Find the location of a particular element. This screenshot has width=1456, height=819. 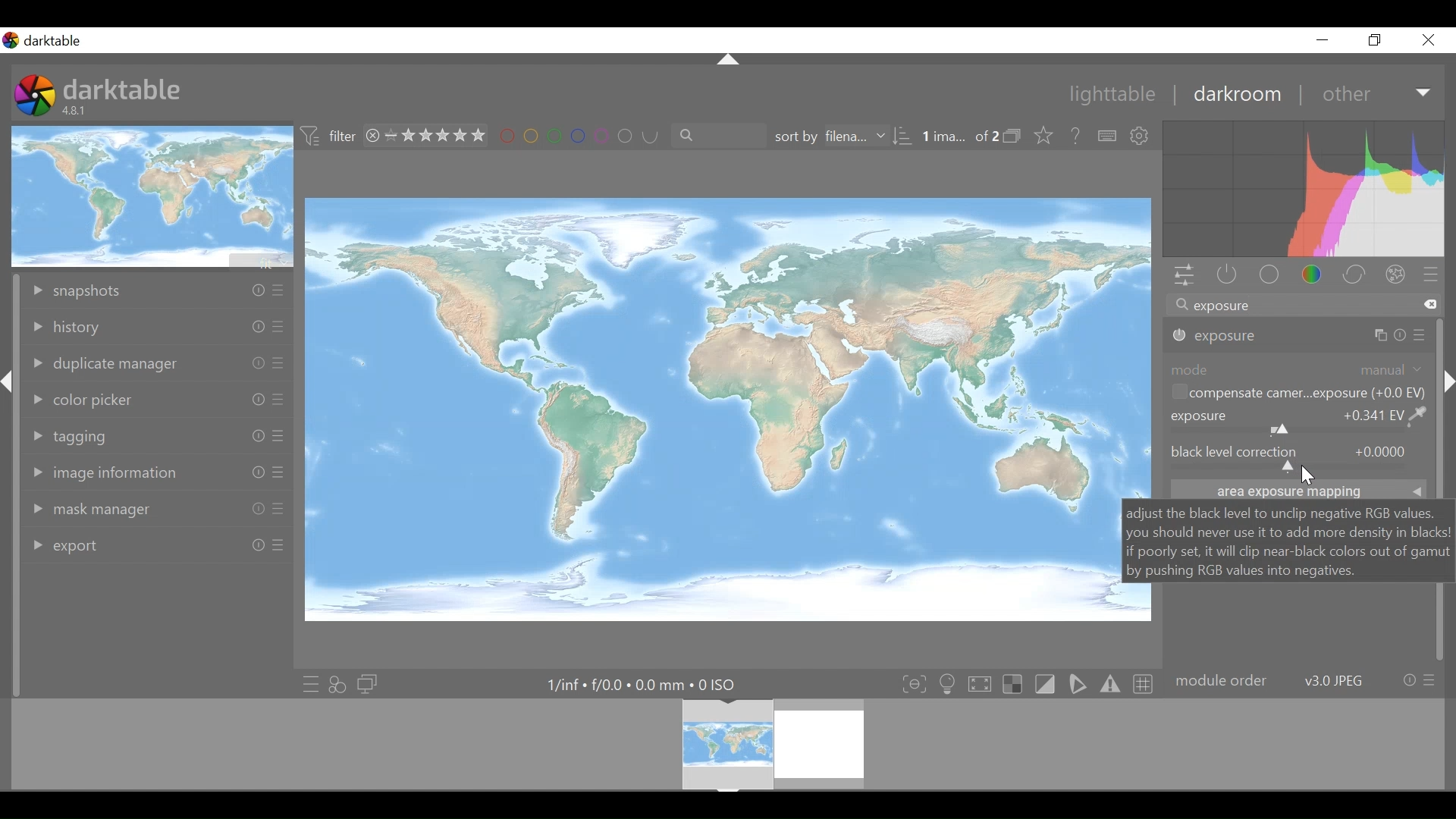

toggle high quality processing is located at coordinates (979, 684).